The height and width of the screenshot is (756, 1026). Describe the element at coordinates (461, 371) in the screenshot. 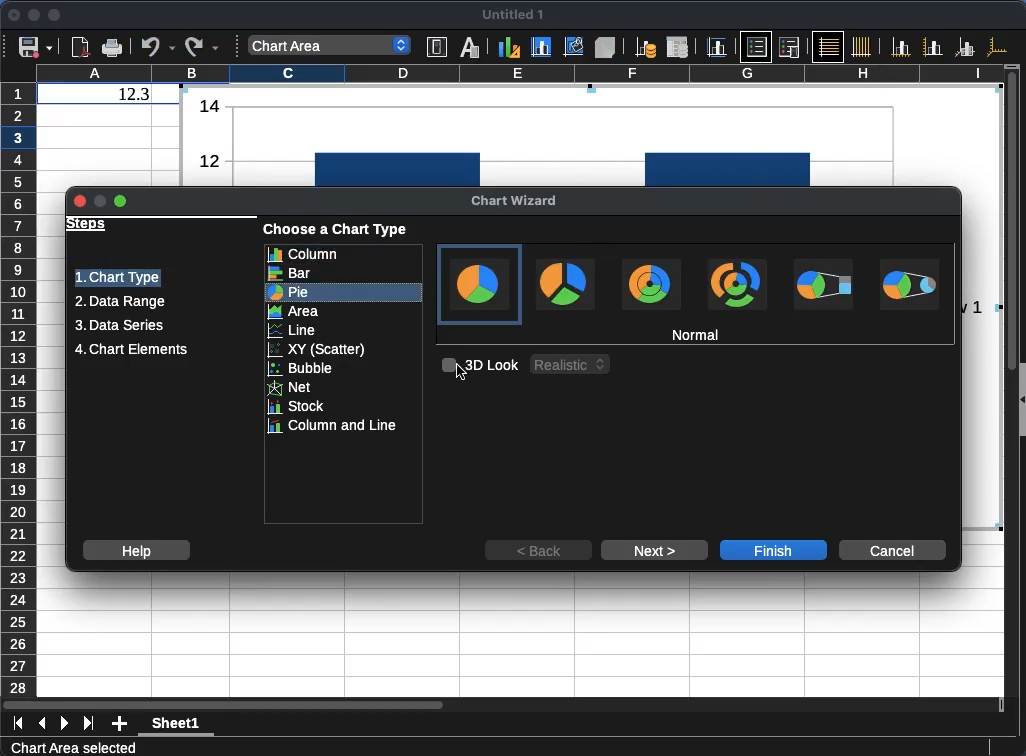

I see `Cursor` at that location.